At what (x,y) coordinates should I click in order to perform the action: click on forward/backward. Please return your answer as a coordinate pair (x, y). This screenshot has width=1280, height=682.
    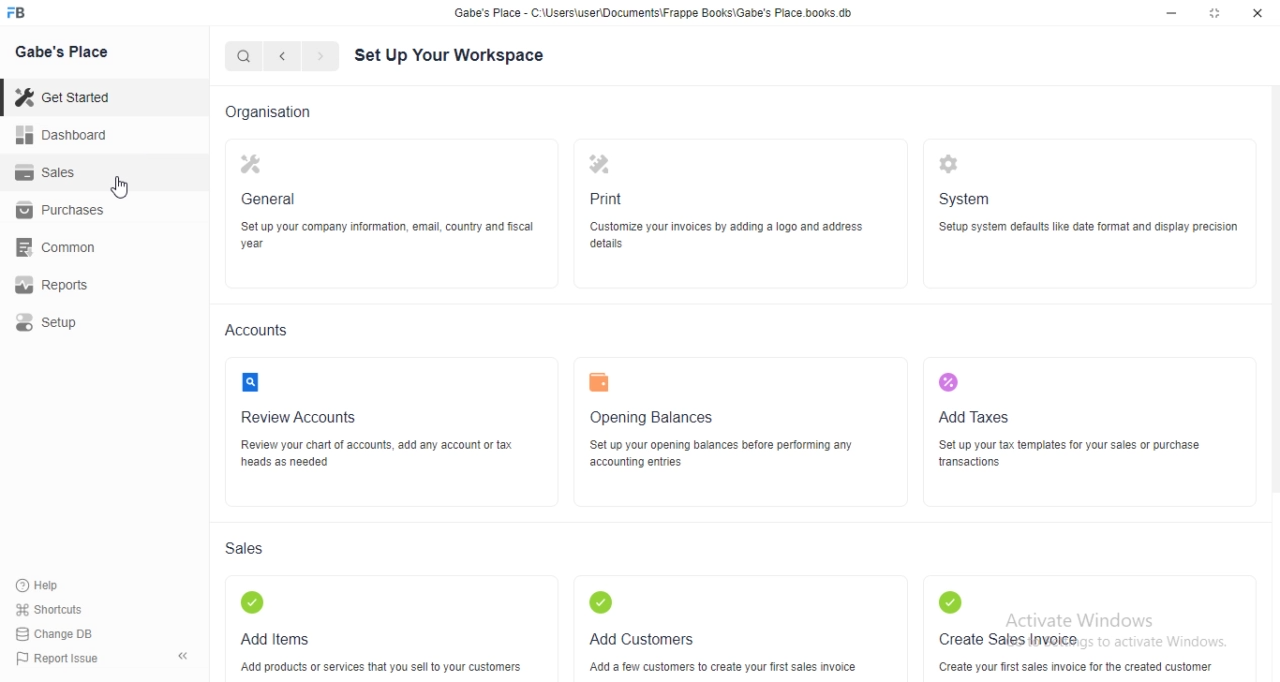
    Looking at the image, I should click on (306, 57).